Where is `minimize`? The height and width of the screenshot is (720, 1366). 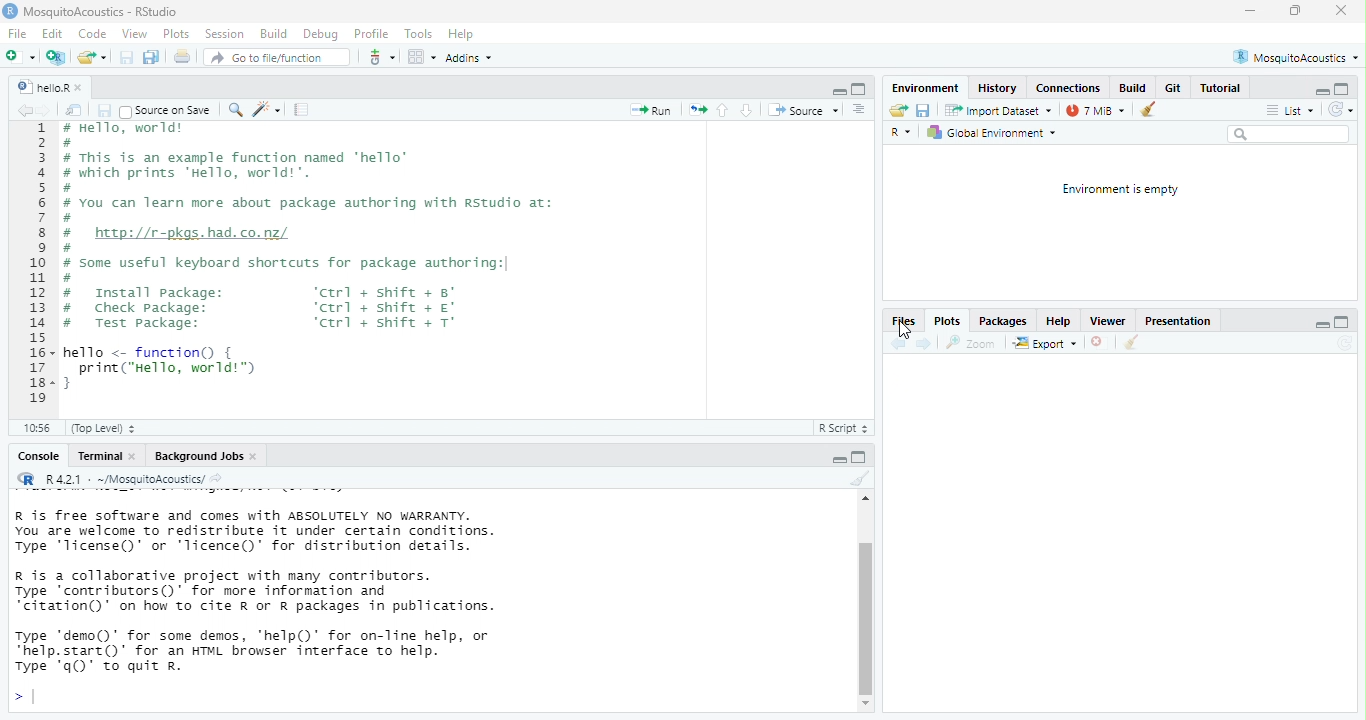 minimize is located at coordinates (1250, 12).